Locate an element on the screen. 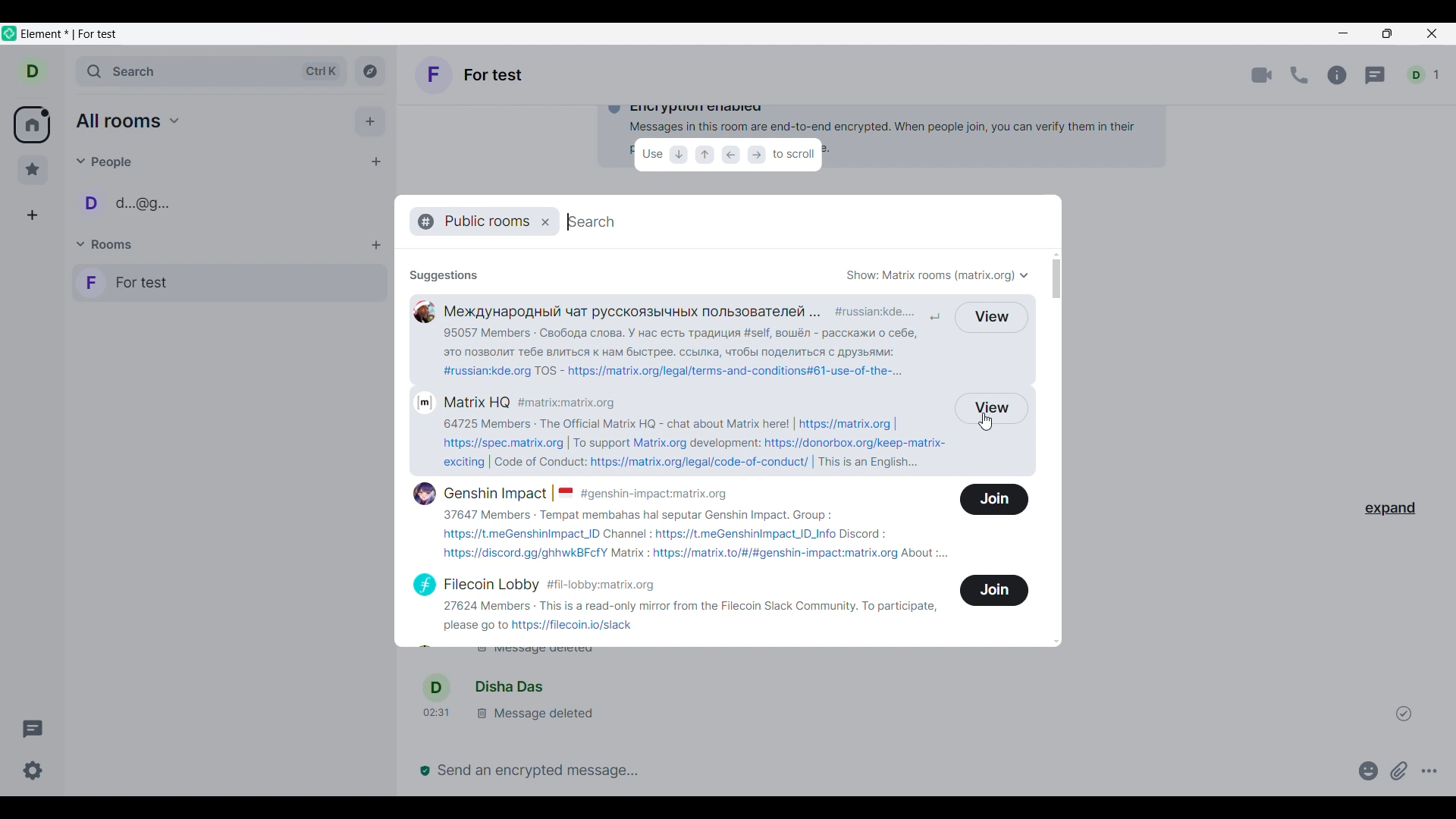 This screenshot has width=1456, height=819. Profile information is located at coordinates (436, 687).